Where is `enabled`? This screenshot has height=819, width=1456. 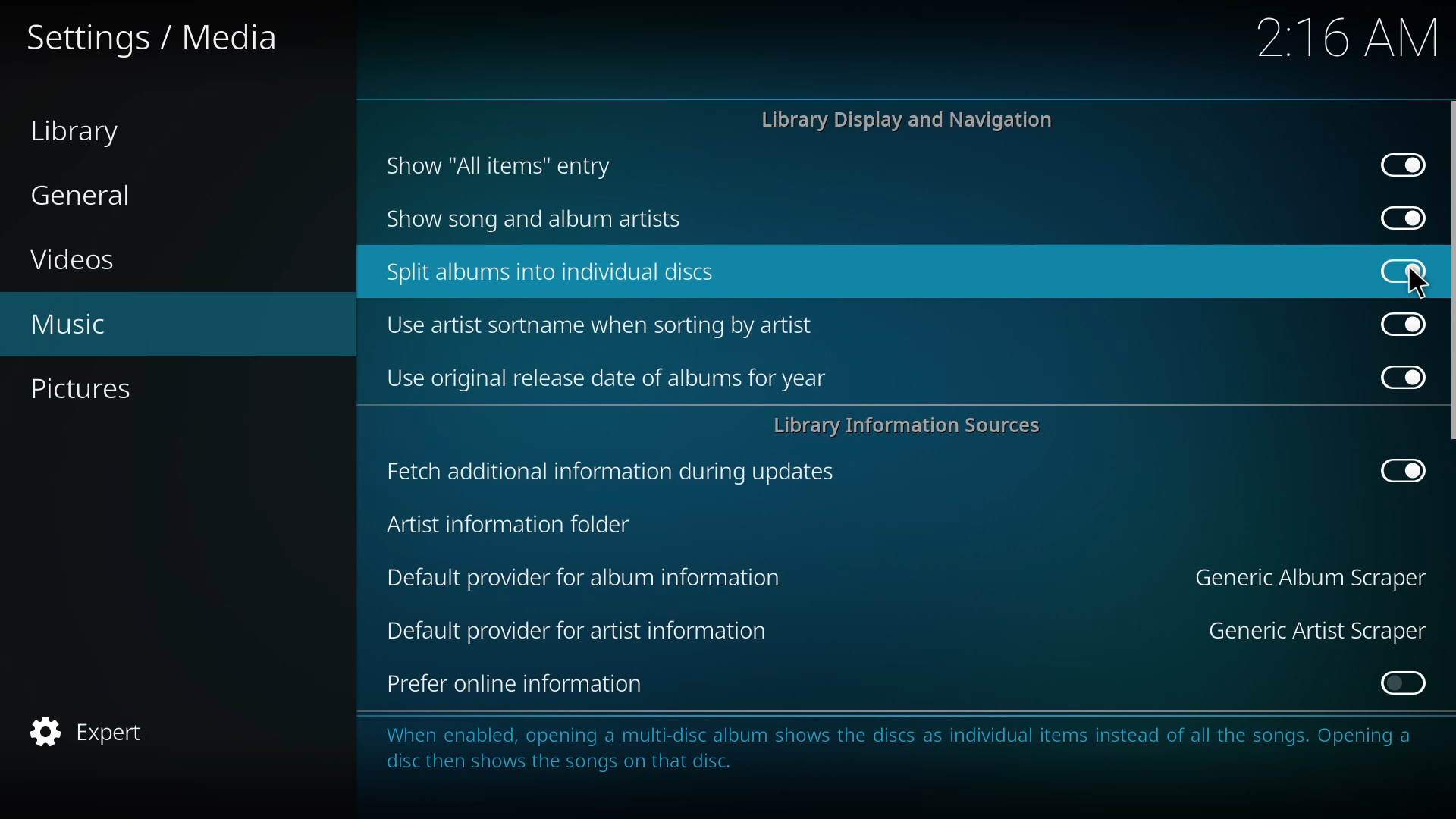 enabled is located at coordinates (1401, 684).